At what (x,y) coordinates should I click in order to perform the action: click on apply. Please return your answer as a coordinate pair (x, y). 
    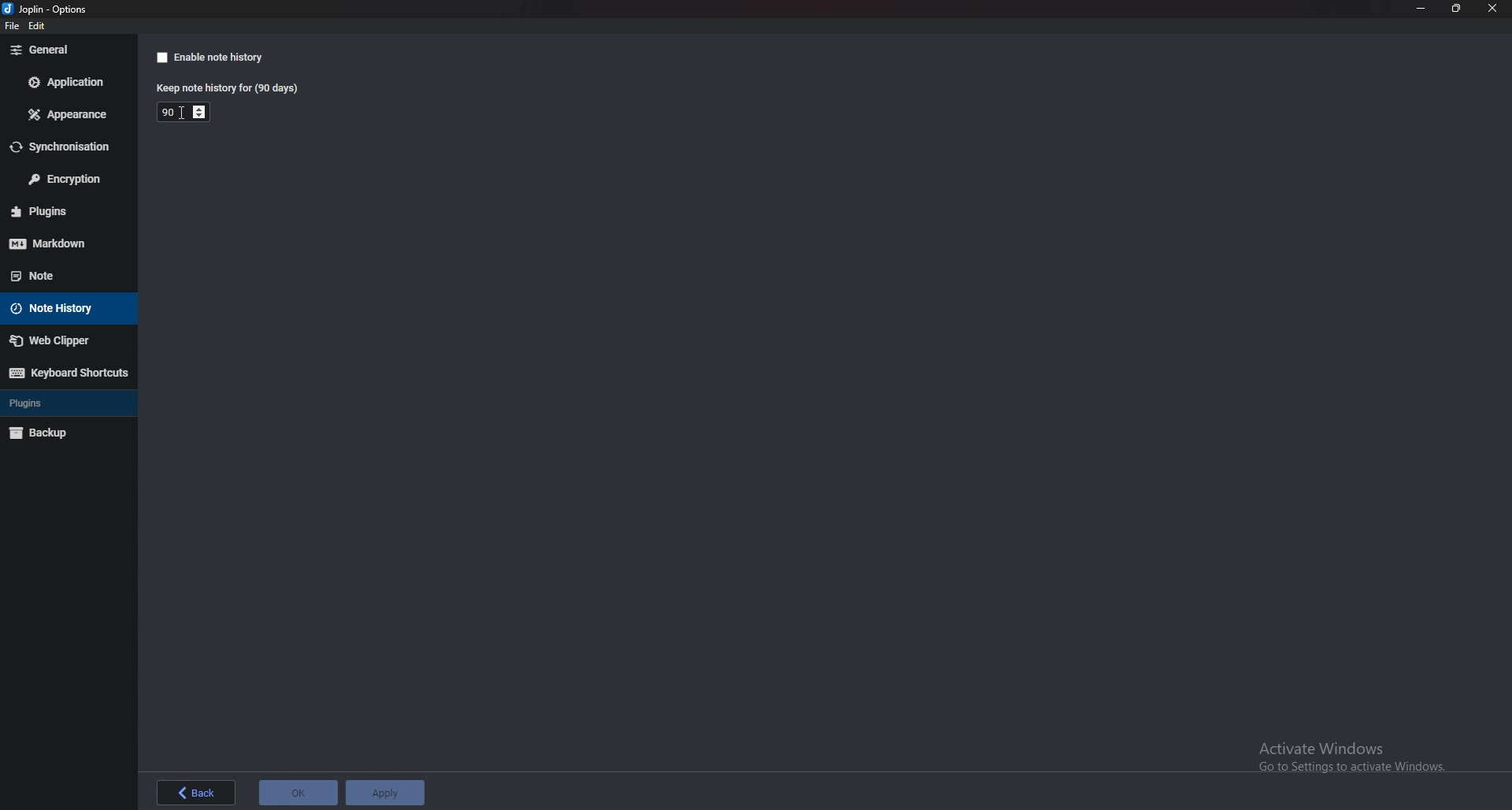
    Looking at the image, I should click on (386, 792).